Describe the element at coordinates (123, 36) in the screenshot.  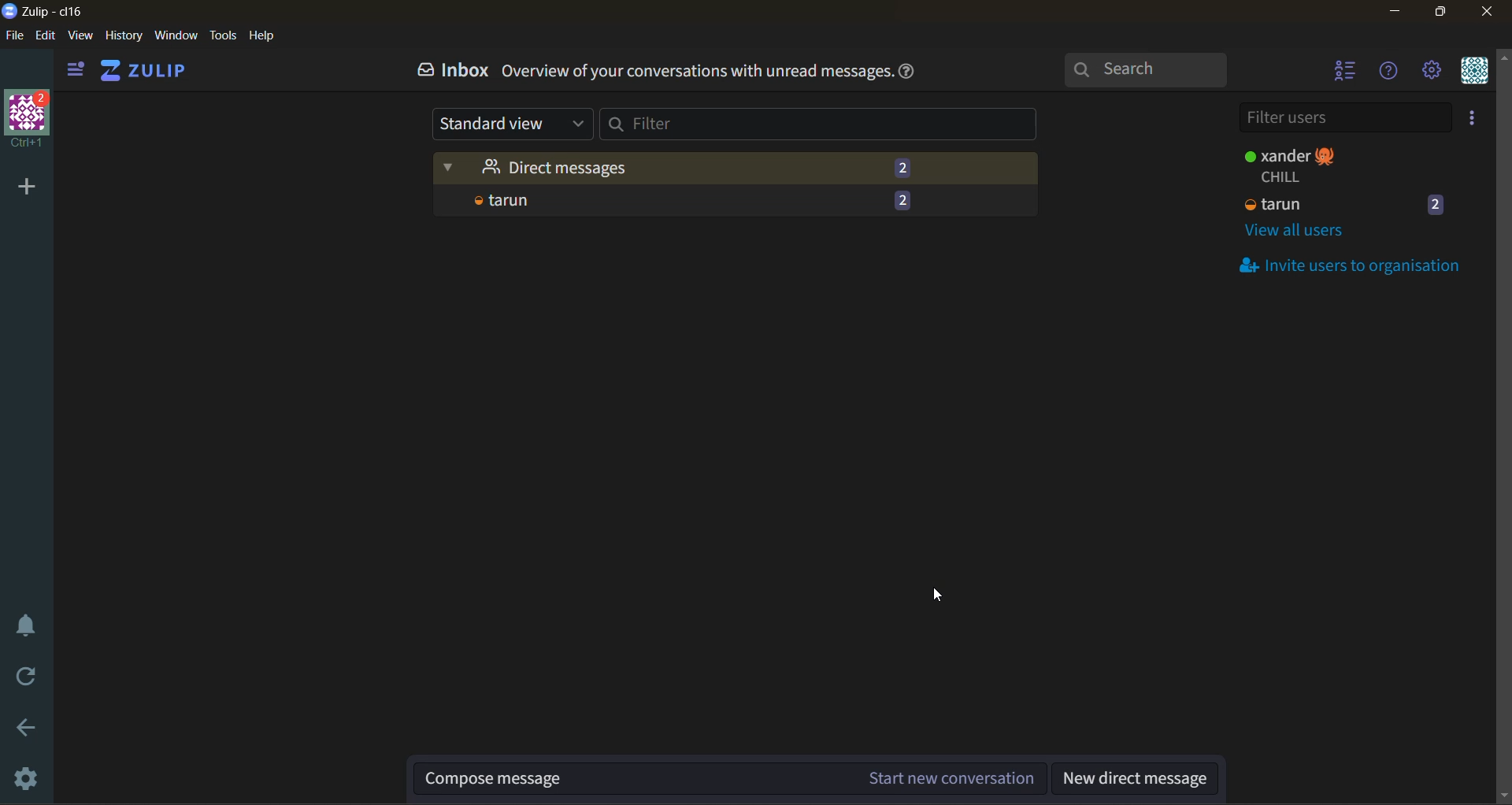
I see `history` at that location.